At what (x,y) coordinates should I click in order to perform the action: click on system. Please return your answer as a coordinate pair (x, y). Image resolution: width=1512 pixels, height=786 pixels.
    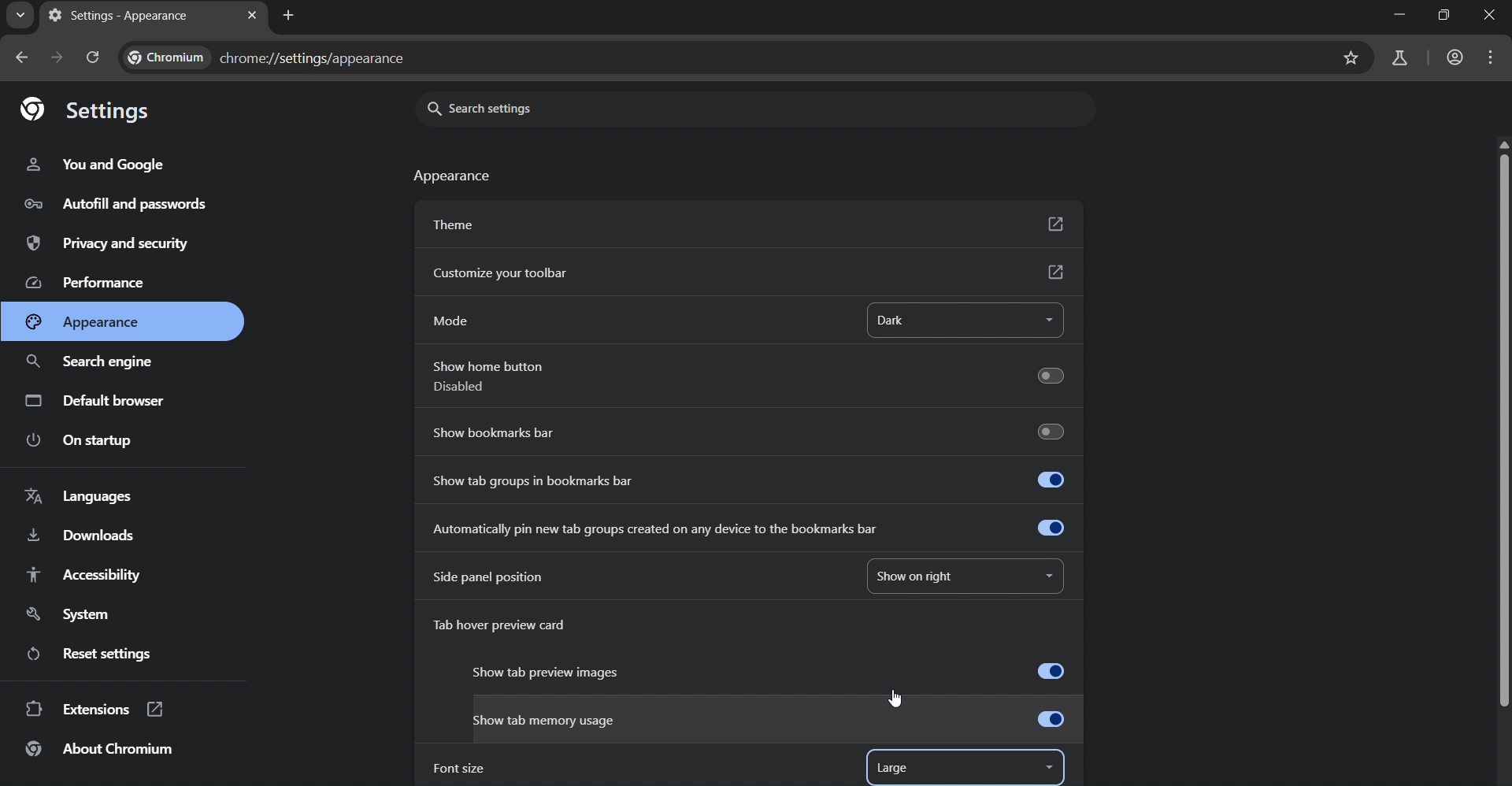
    Looking at the image, I should click on (68, 614).